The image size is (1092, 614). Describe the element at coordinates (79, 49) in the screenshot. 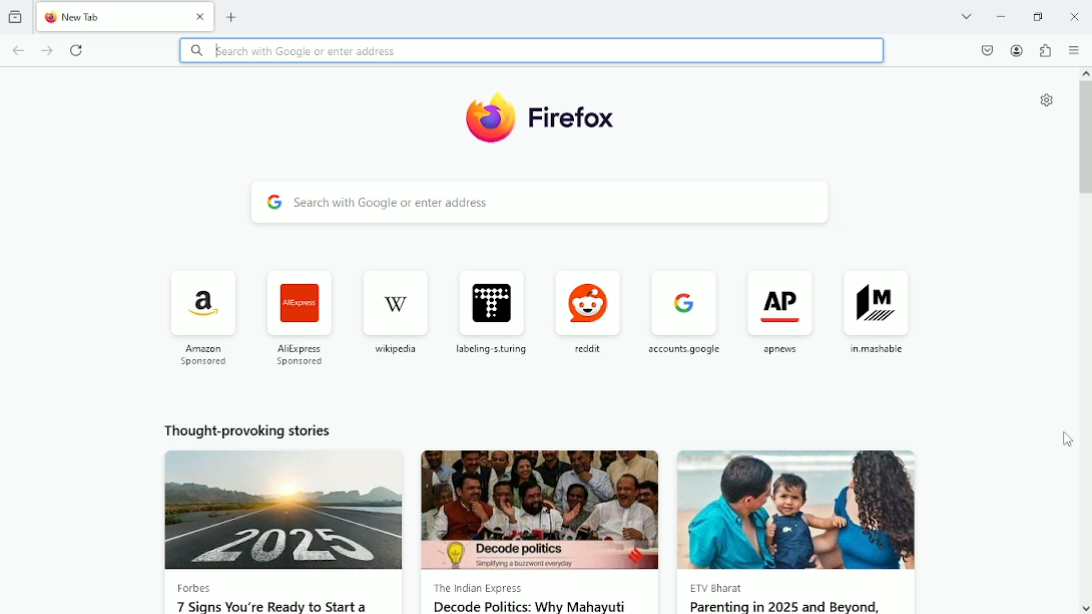

I see `reload current page` at that location.